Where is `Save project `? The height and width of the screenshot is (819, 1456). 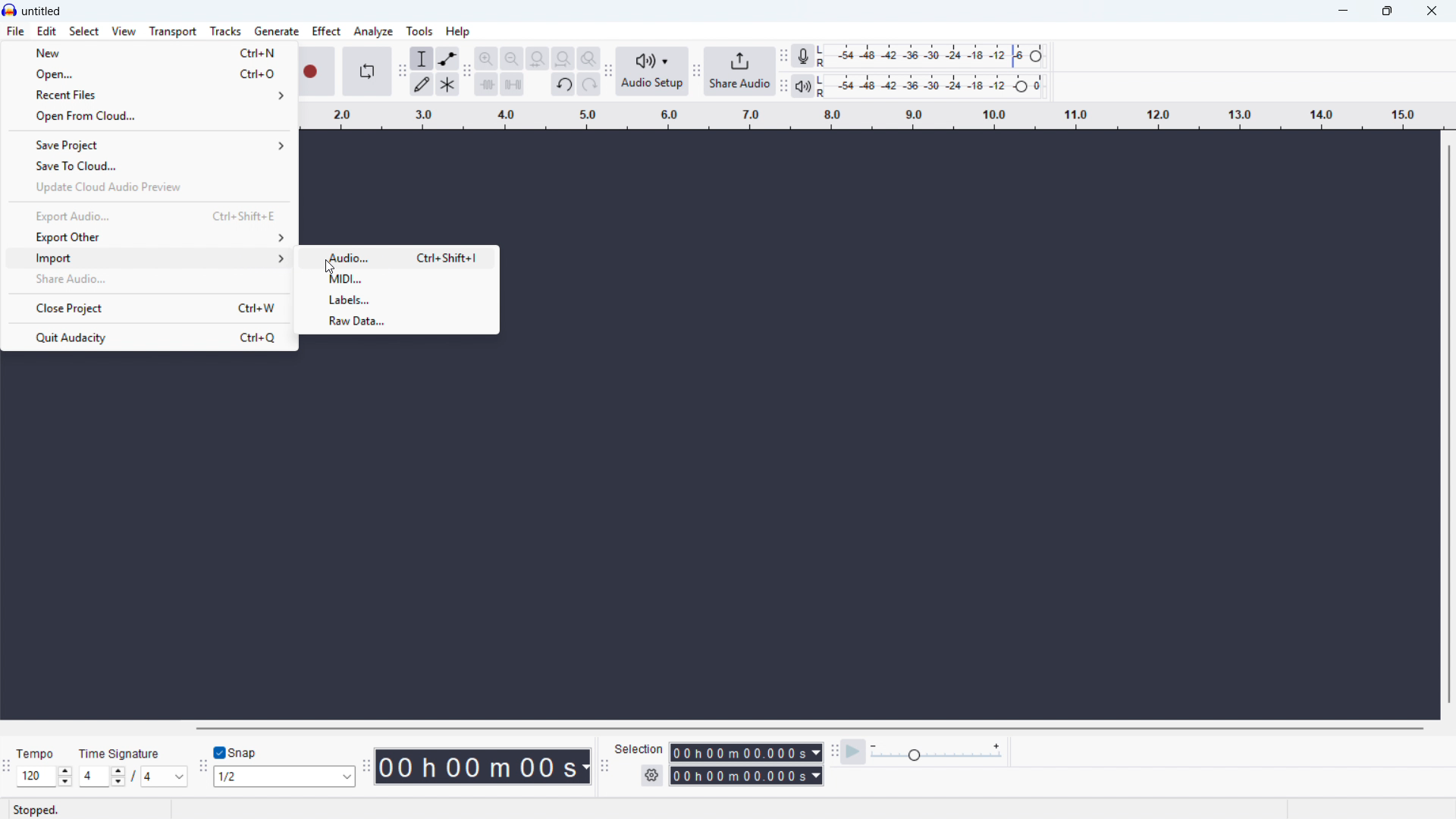 Save project  is located at coordinates (149, 145).